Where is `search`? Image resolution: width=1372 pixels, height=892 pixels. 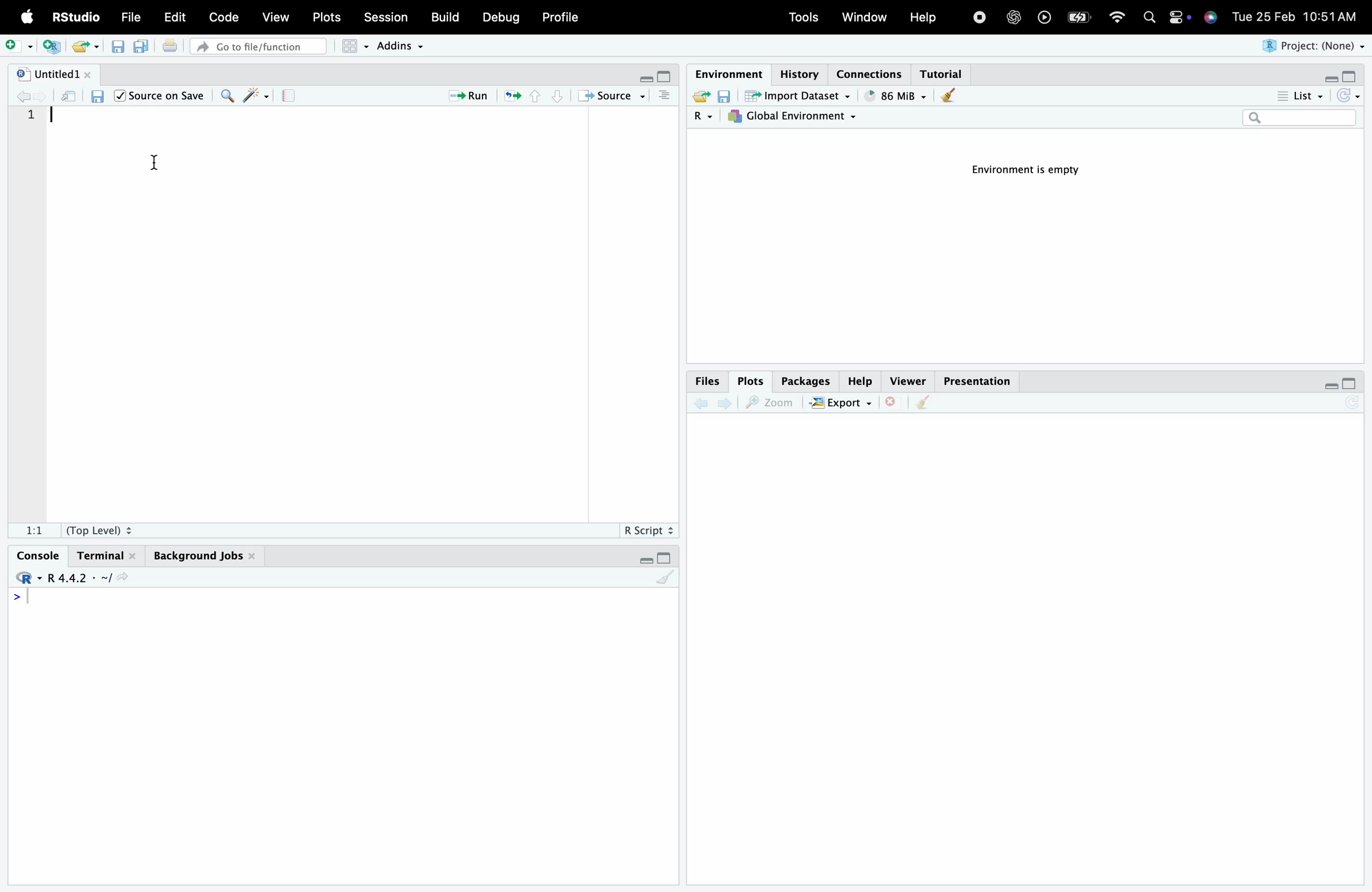
search is located at coordinates (1298, 119).